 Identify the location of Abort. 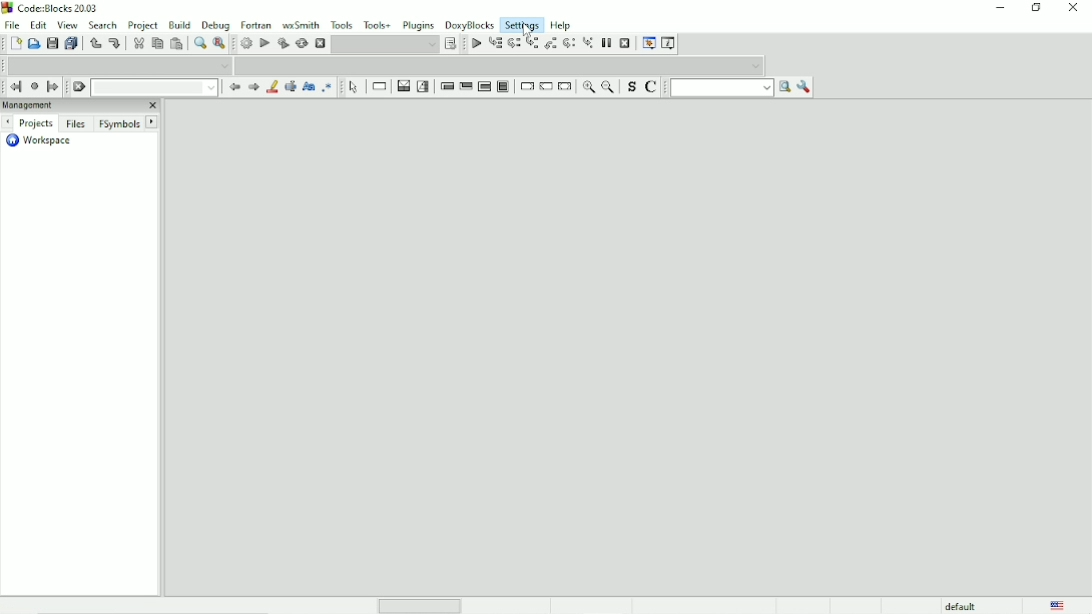
(320, 43).